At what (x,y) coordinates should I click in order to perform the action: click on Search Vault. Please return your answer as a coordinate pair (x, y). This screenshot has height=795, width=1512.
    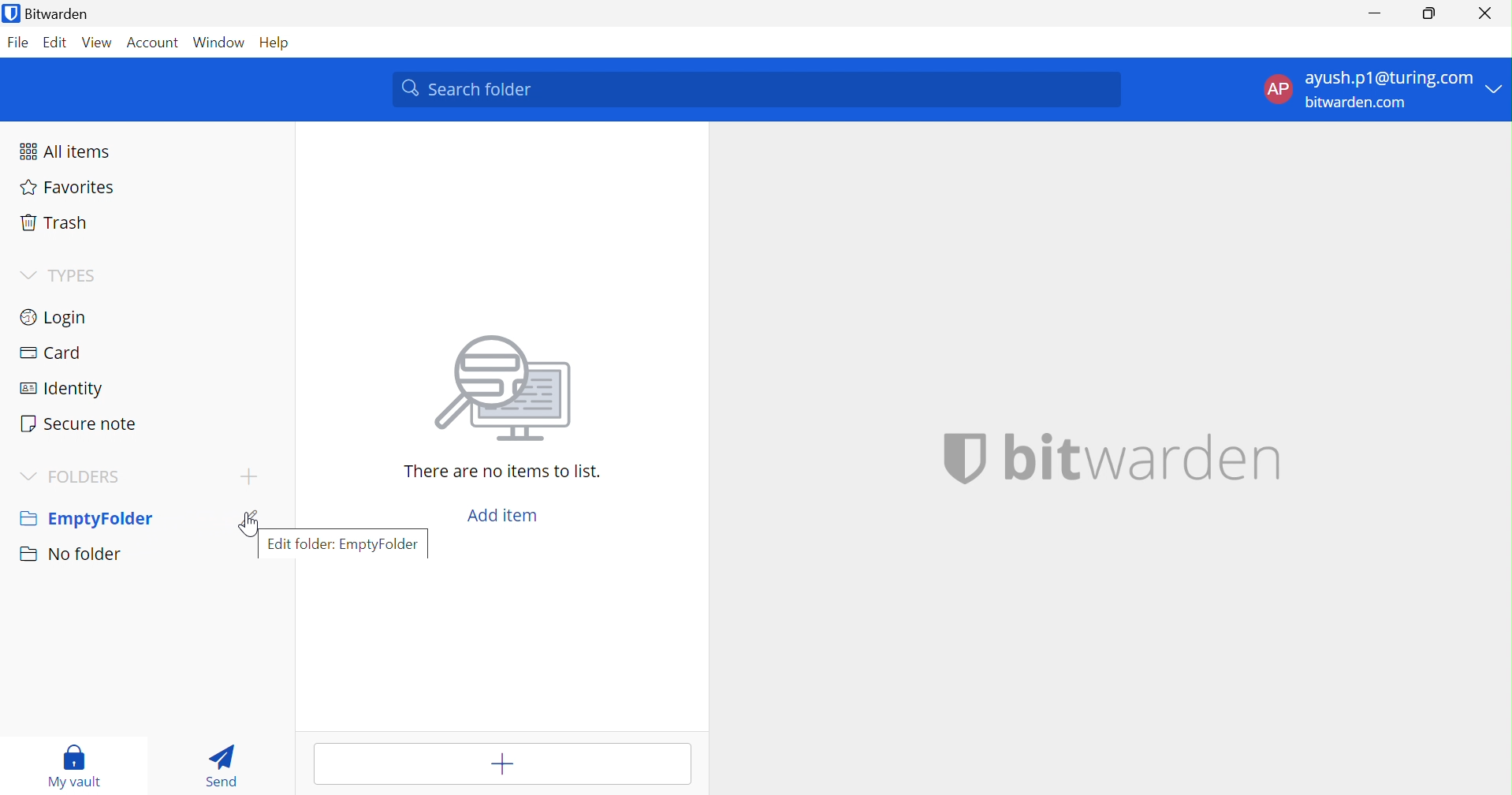
    Looking at the image, I should click on (757, 90).